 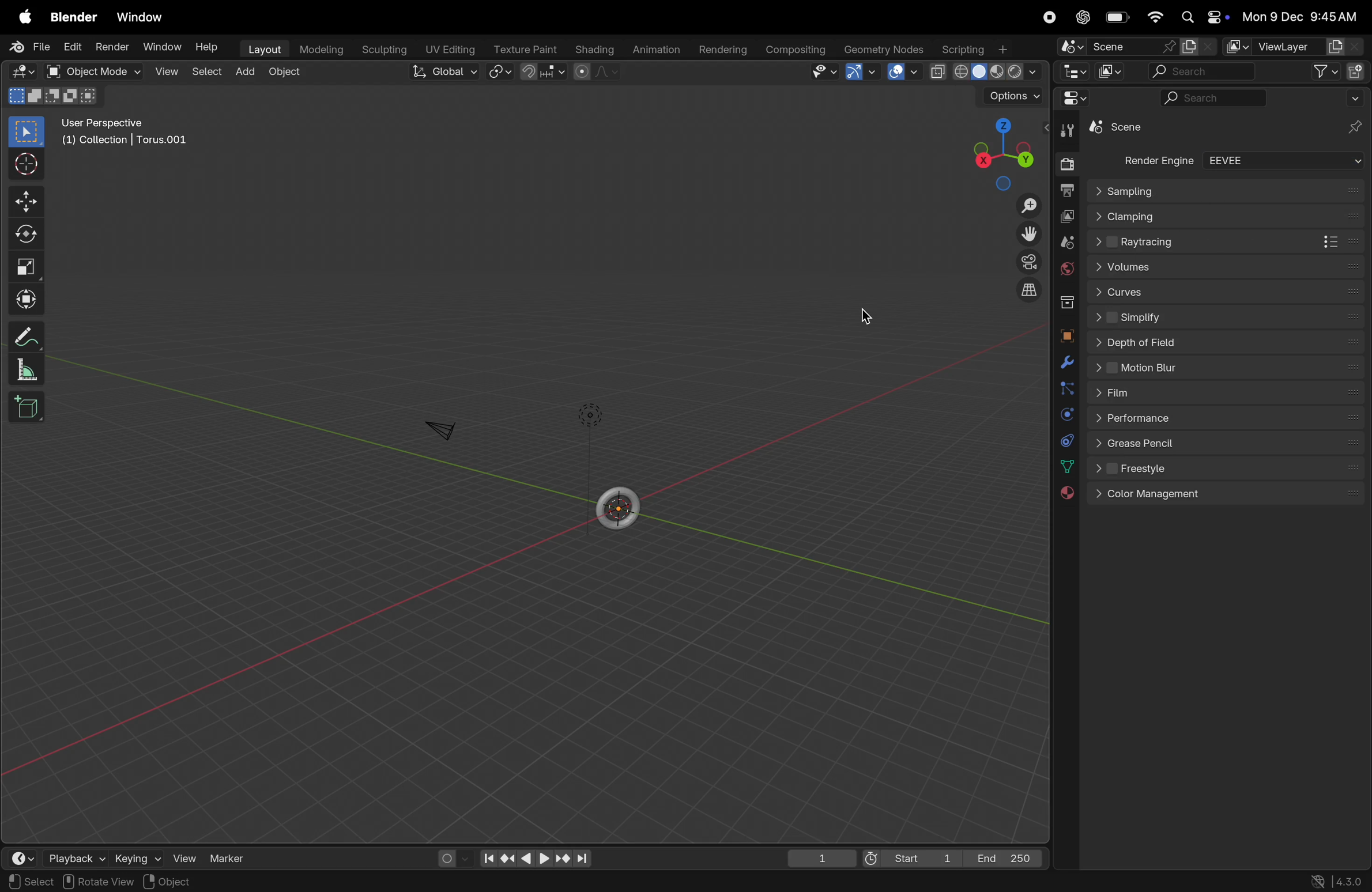 What do you see at coordinates (1197, 46) in the screenshot?
I see `new scene` at bounding box center [1197, 46].